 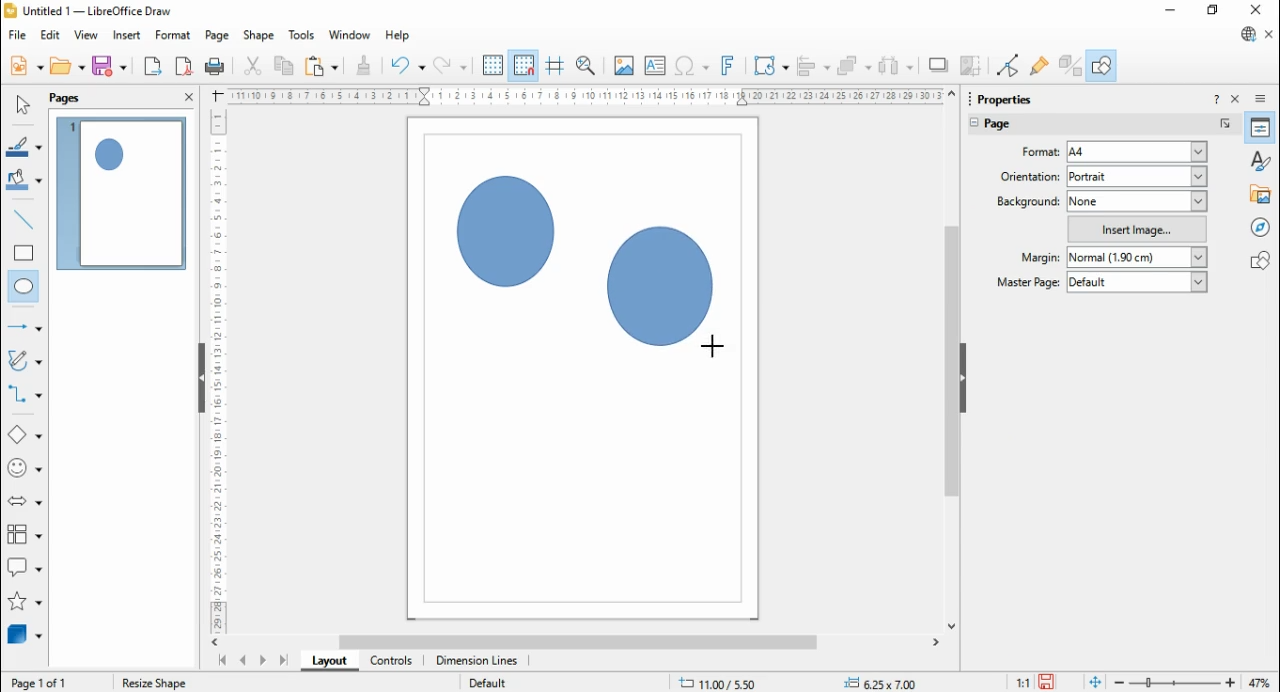 I want to click on open, so click(x=67, y=66).